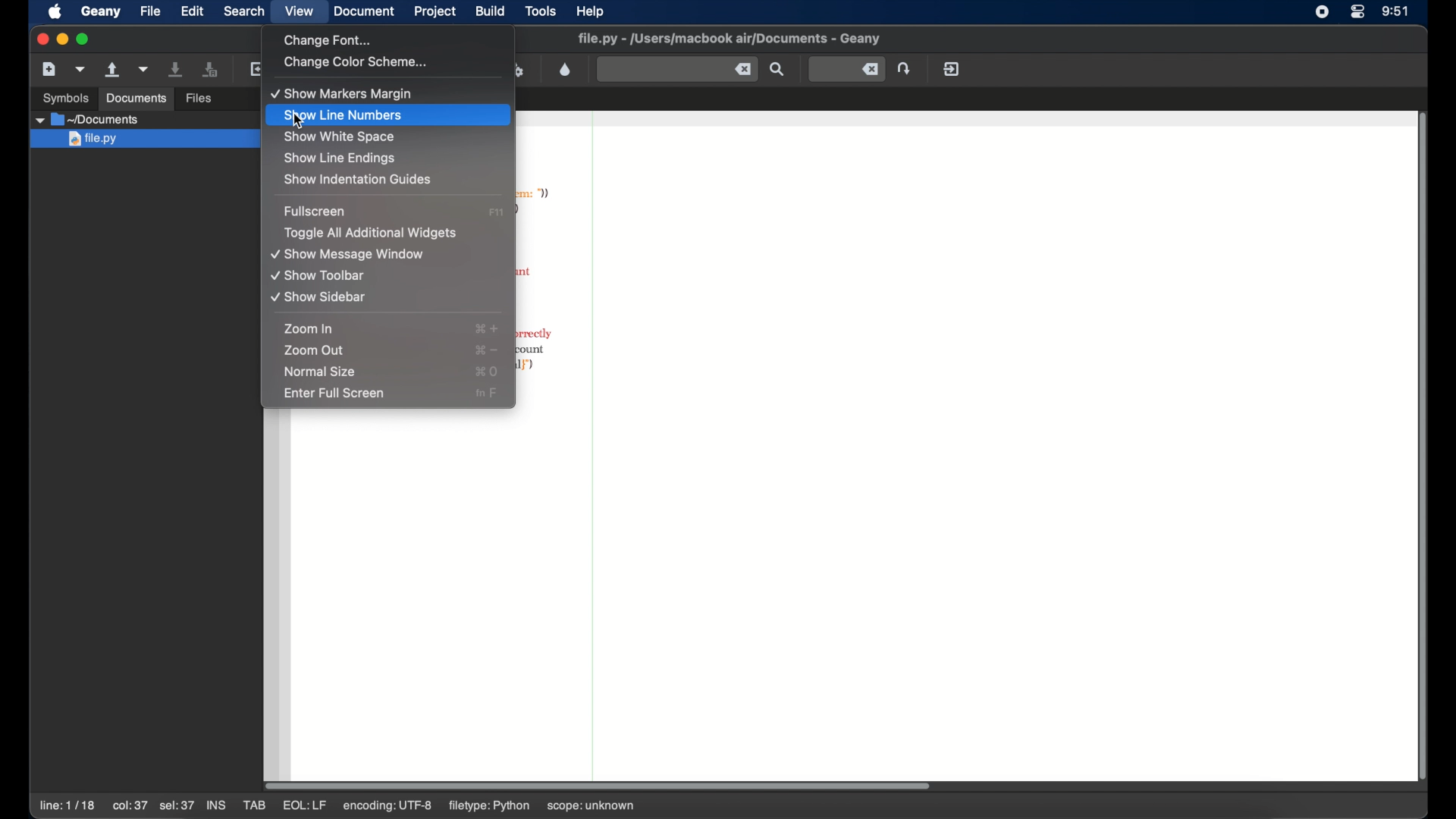  I want to click on show sidebar, so click(319, 297).